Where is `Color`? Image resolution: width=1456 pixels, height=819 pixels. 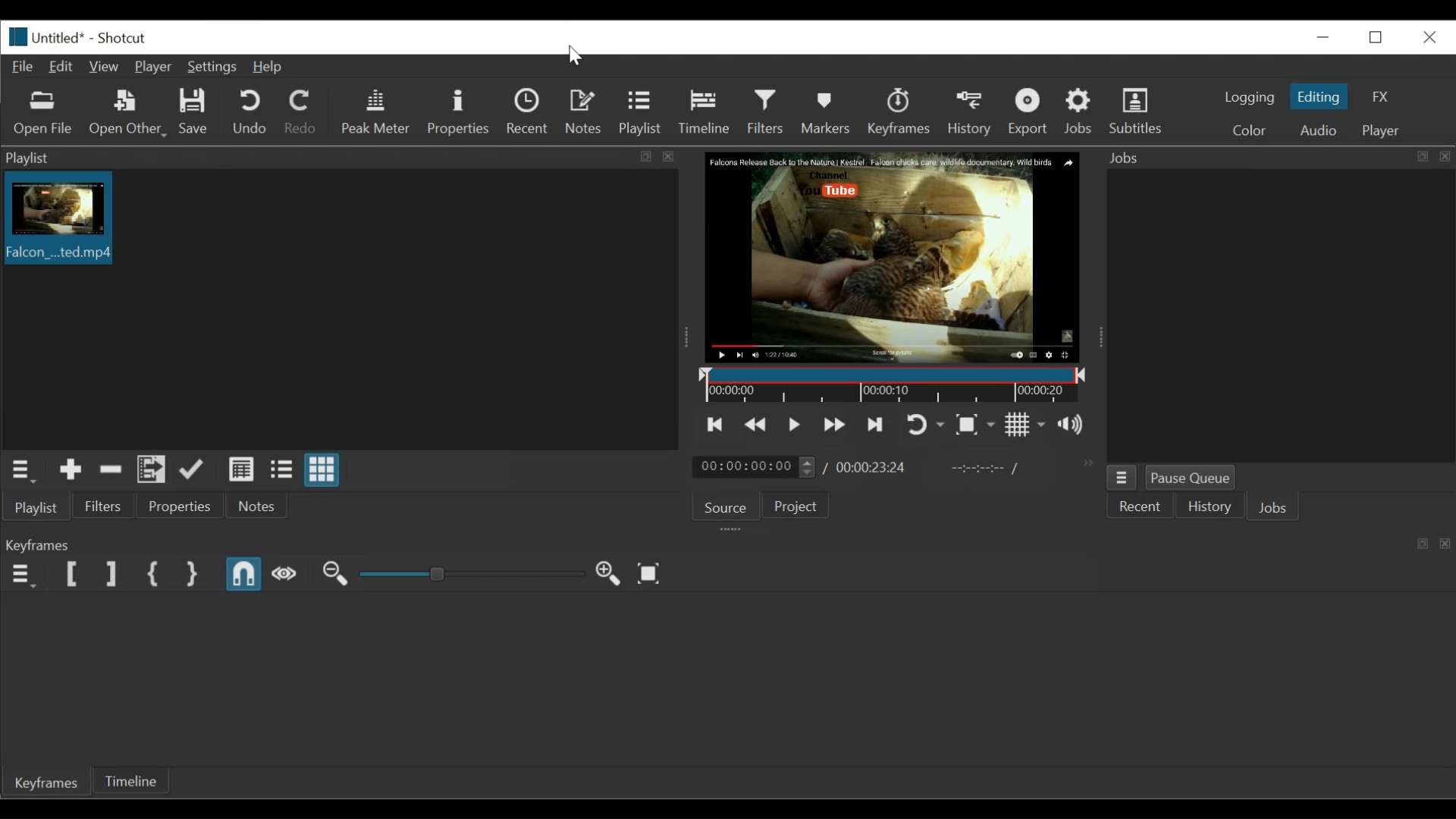
Color is located at coordinates (1254, 129).